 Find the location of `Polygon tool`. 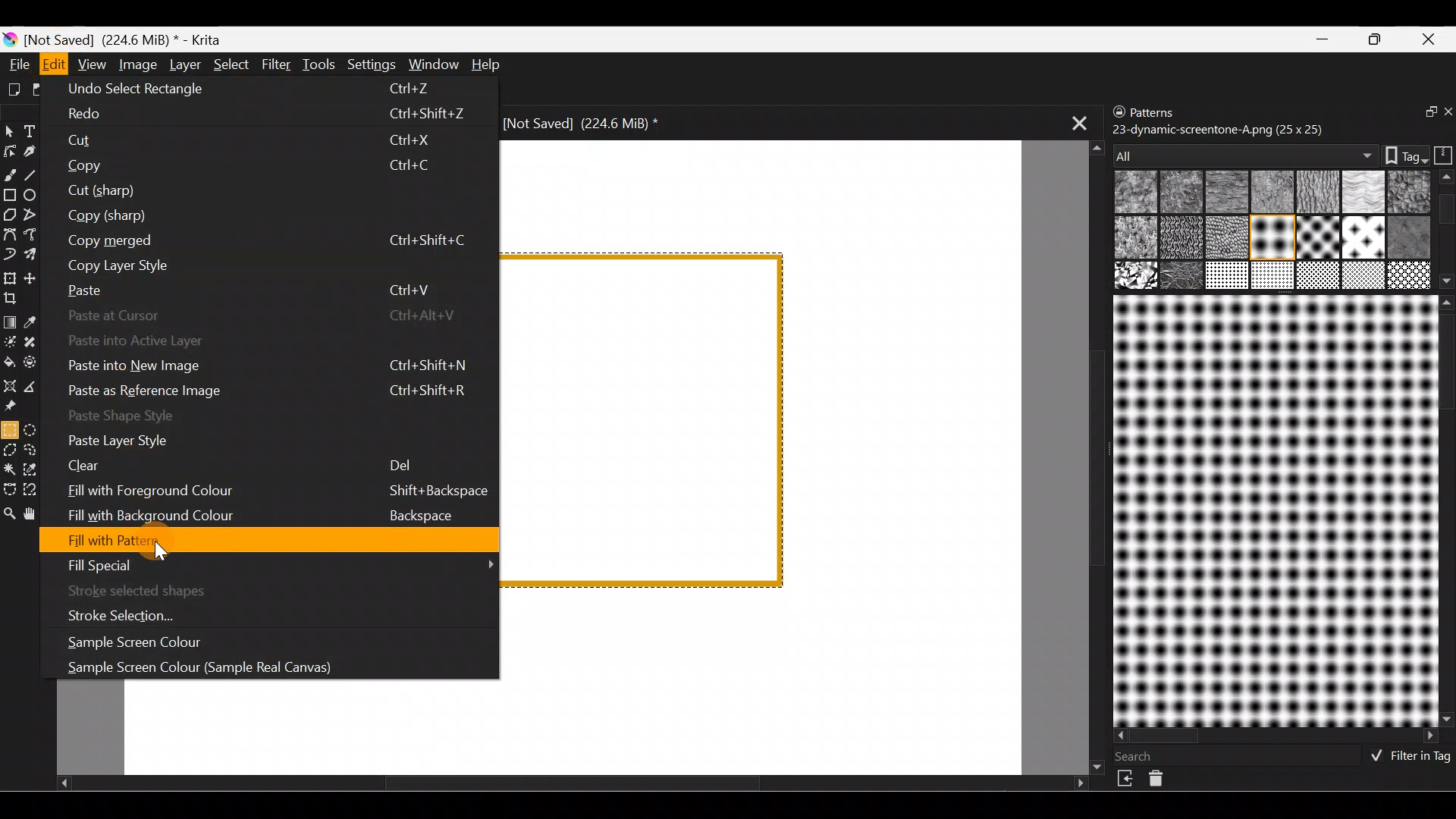

Polygon tool is located at coordinates (9, 212).